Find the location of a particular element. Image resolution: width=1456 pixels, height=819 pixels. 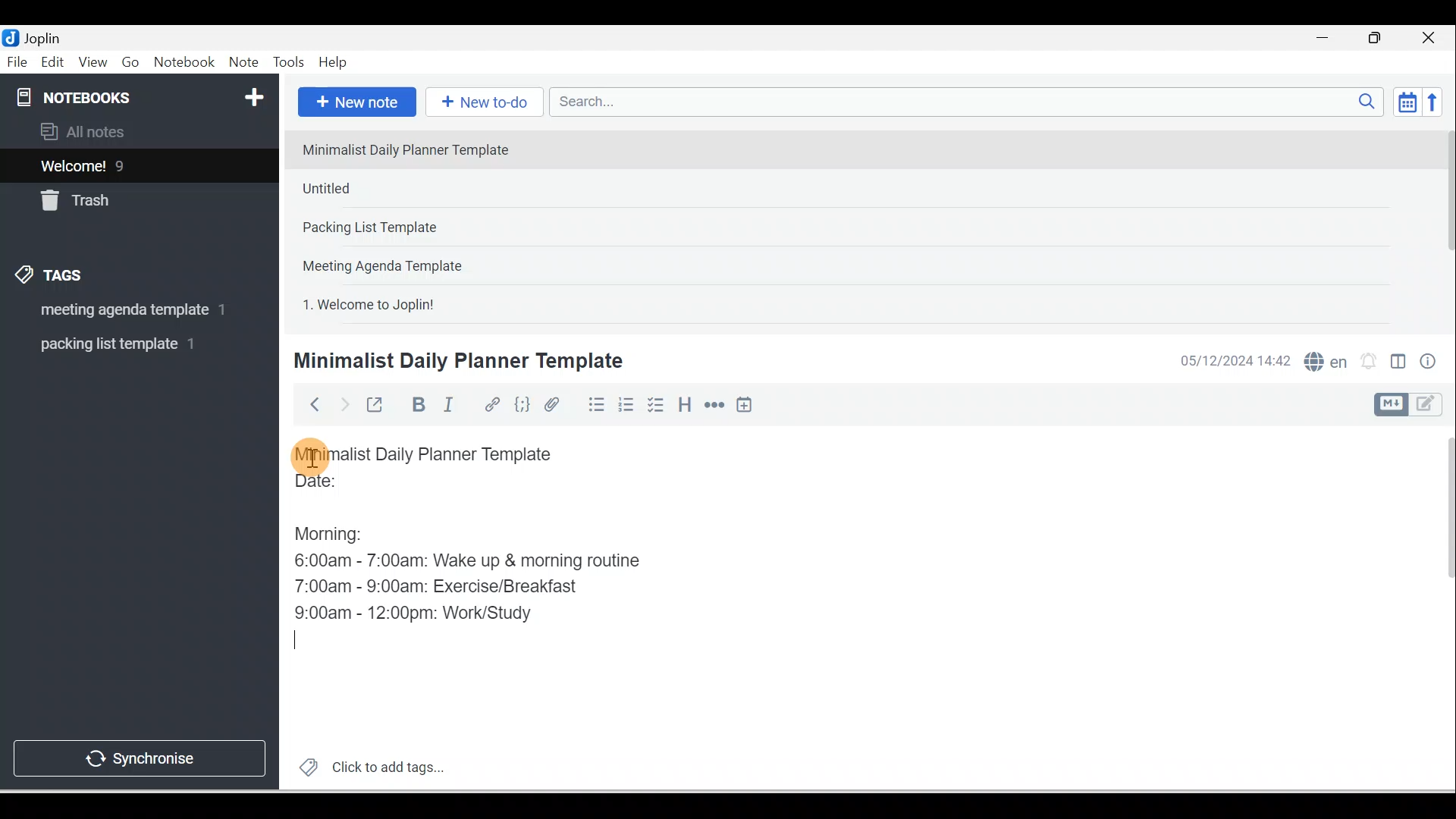

Italic is located at coordinates (451, 407).